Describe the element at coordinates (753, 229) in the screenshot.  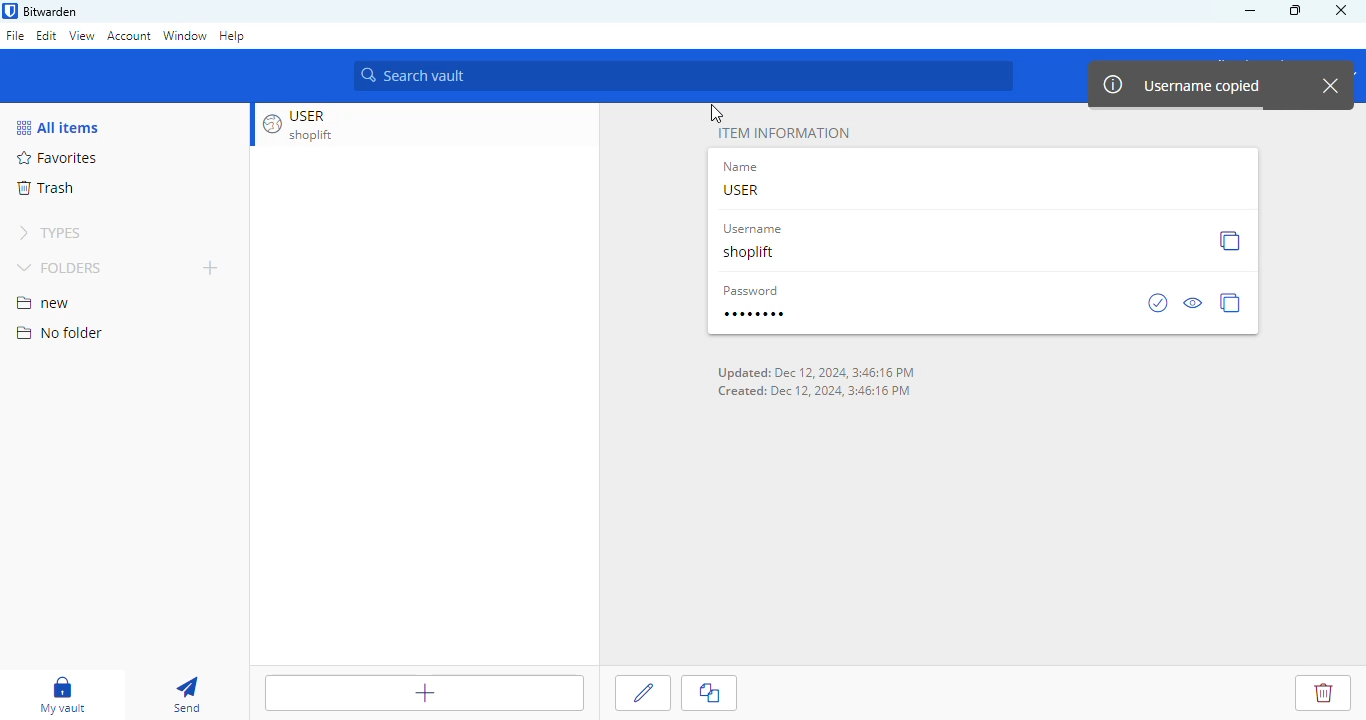
I see `username` at that location.